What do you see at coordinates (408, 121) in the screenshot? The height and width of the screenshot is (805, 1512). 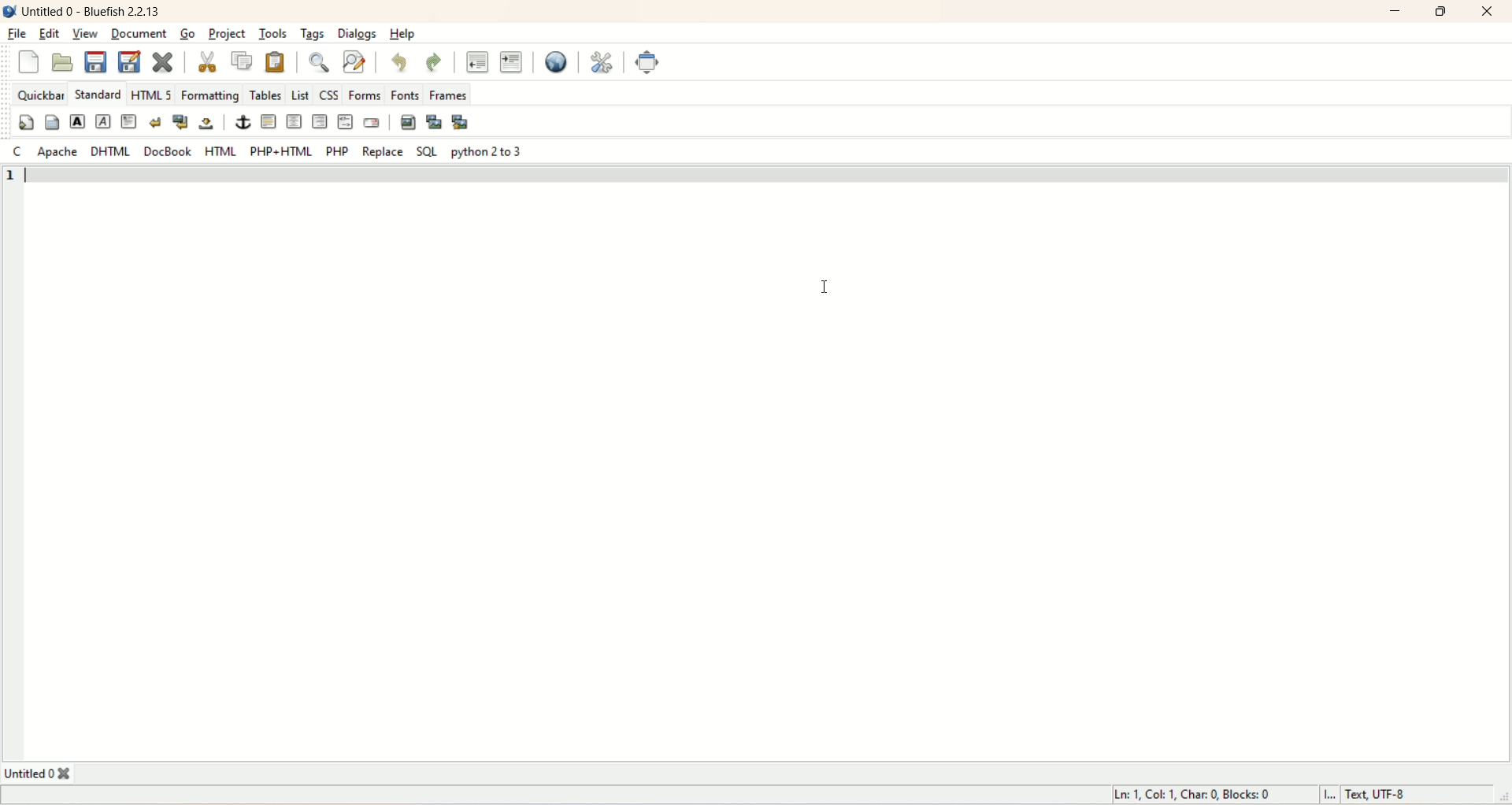 I see `insert image` at bounding box center [408, 121].